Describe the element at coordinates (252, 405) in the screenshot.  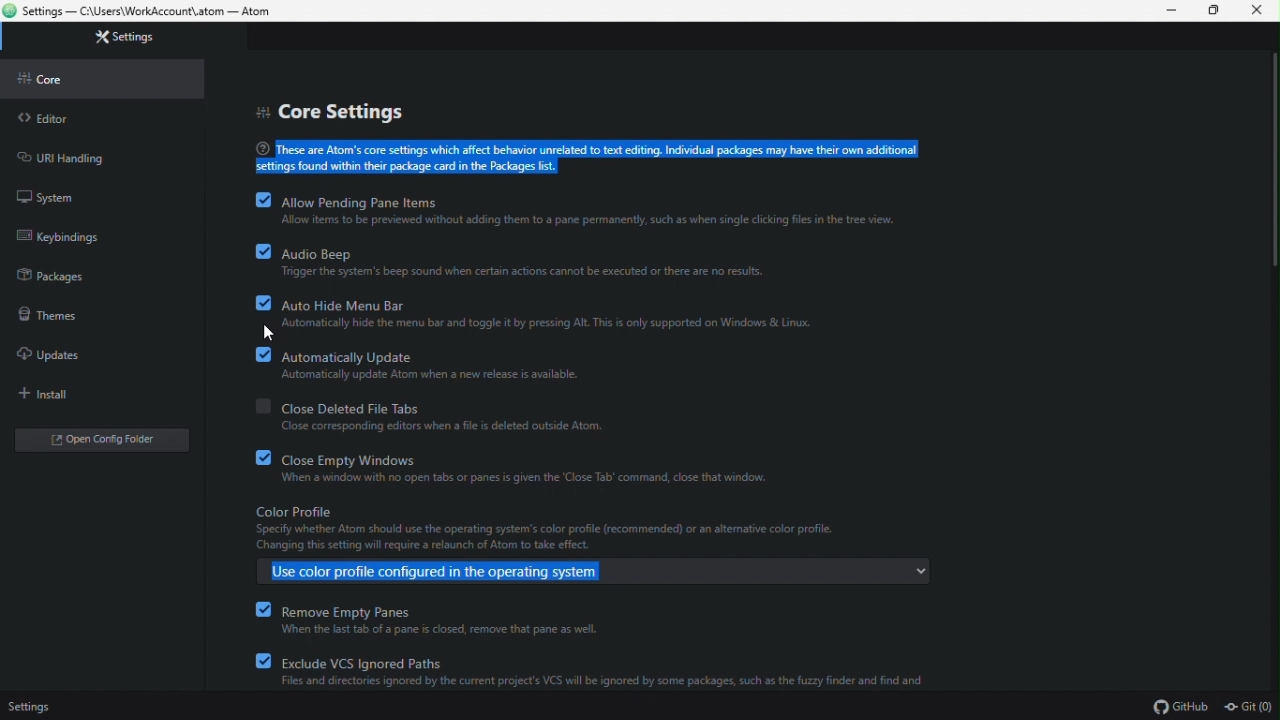
I see `checkbox` at that location.